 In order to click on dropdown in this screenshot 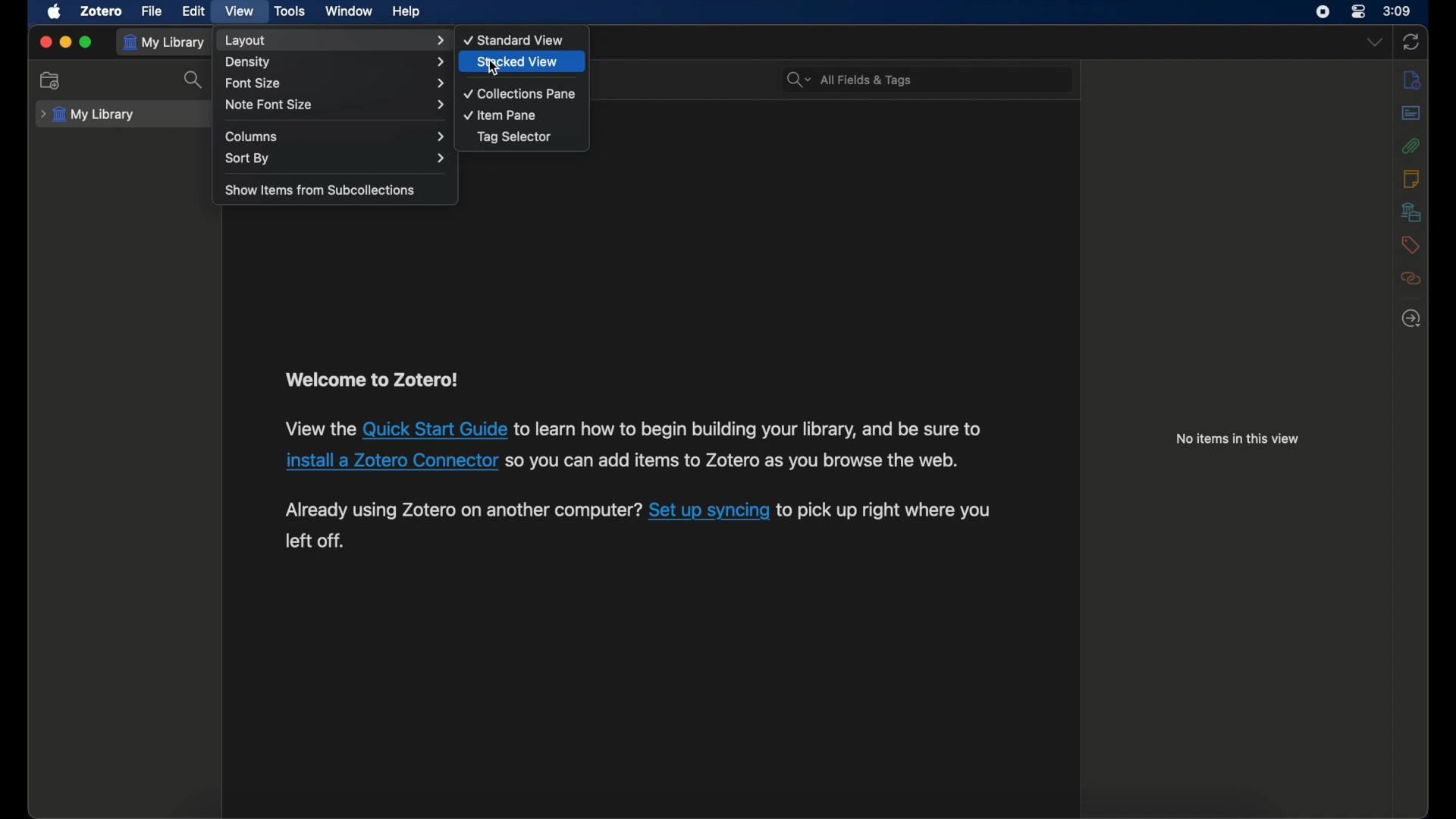, I will do `click(1374, 42)`.